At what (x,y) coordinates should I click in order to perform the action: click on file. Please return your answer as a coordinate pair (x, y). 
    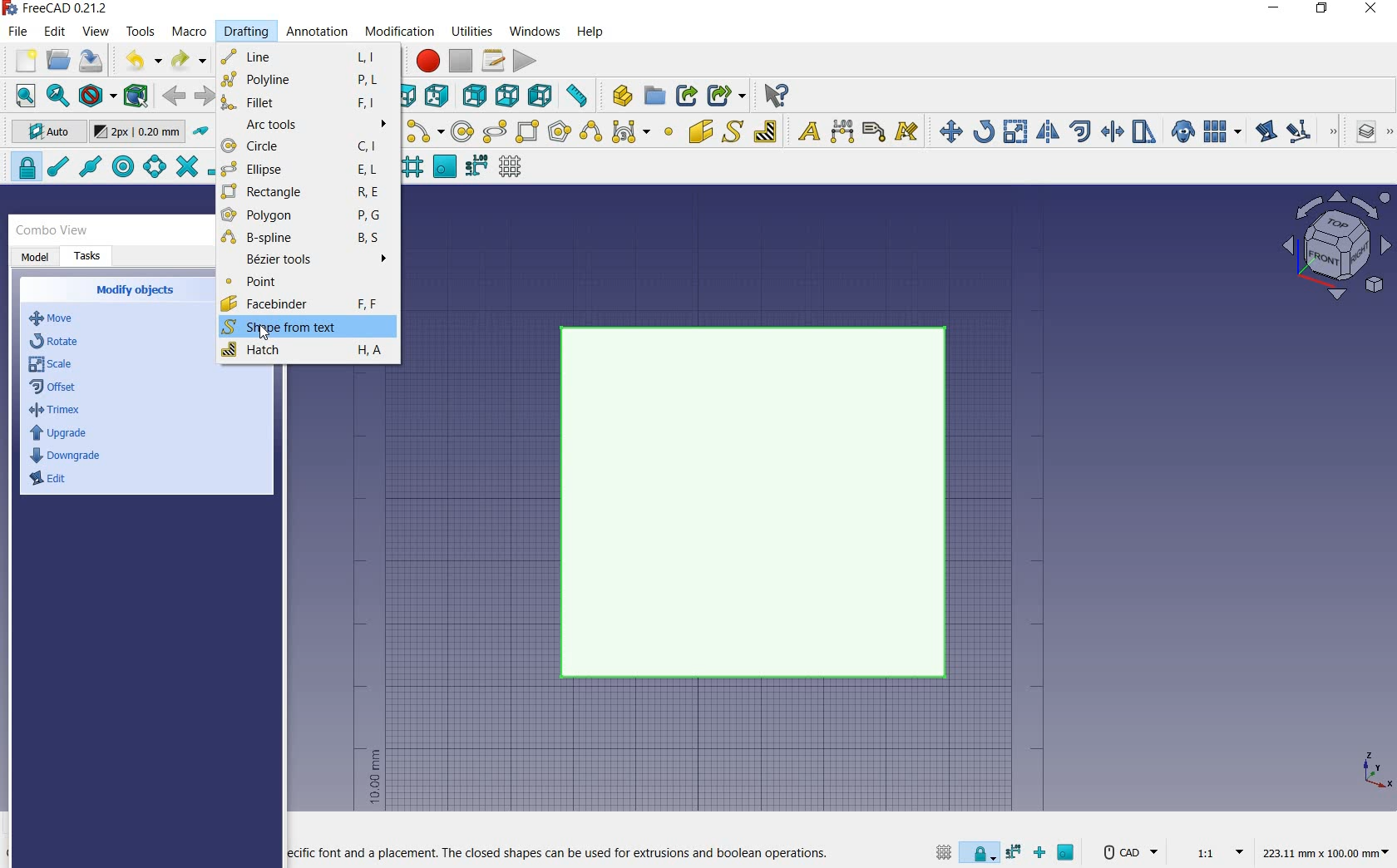
    Looking at the image, I should click on (20, 33).